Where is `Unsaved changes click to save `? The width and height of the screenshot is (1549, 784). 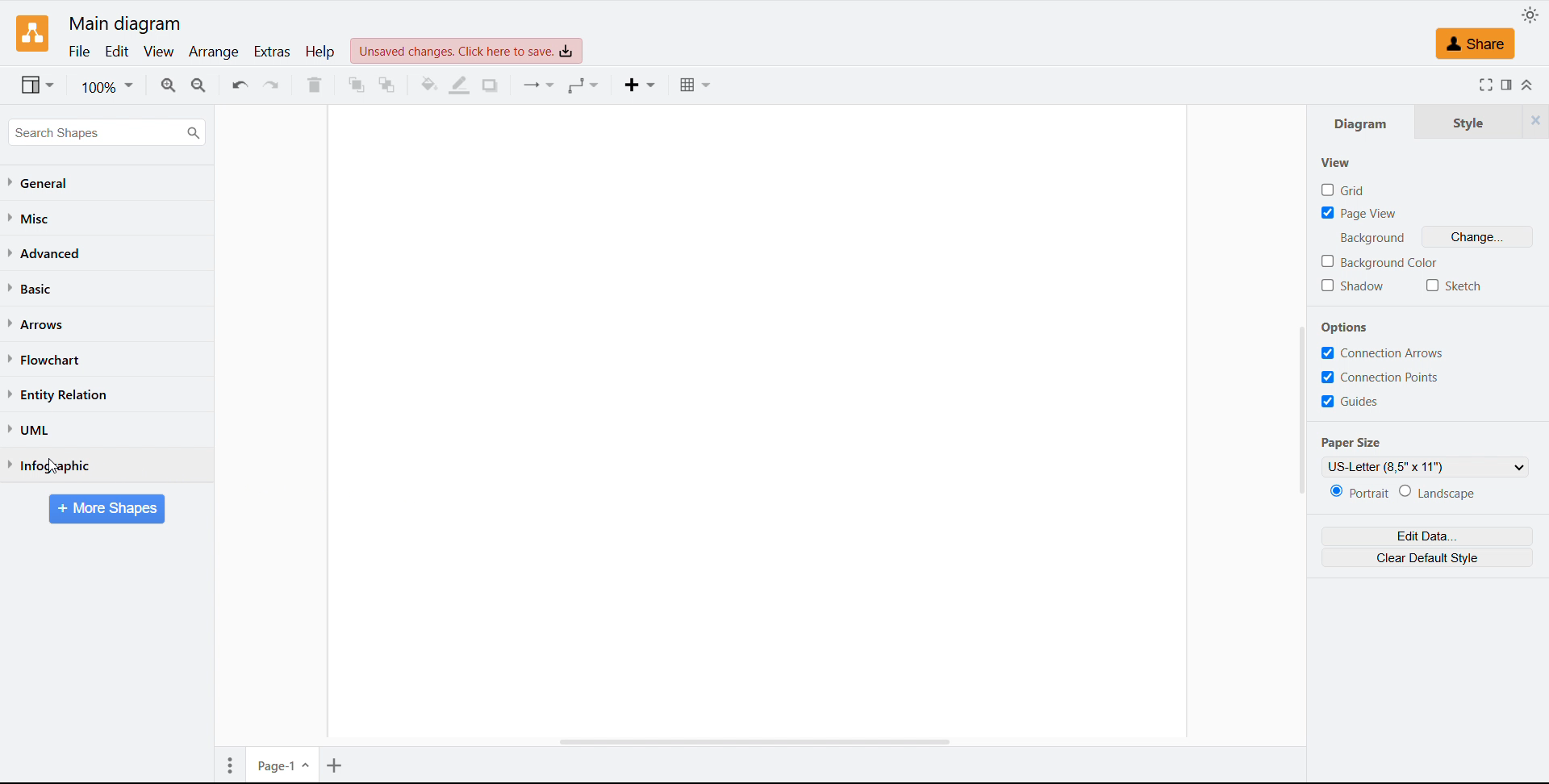
Unsaved changes click to save  is located at coordinates (466, 50).